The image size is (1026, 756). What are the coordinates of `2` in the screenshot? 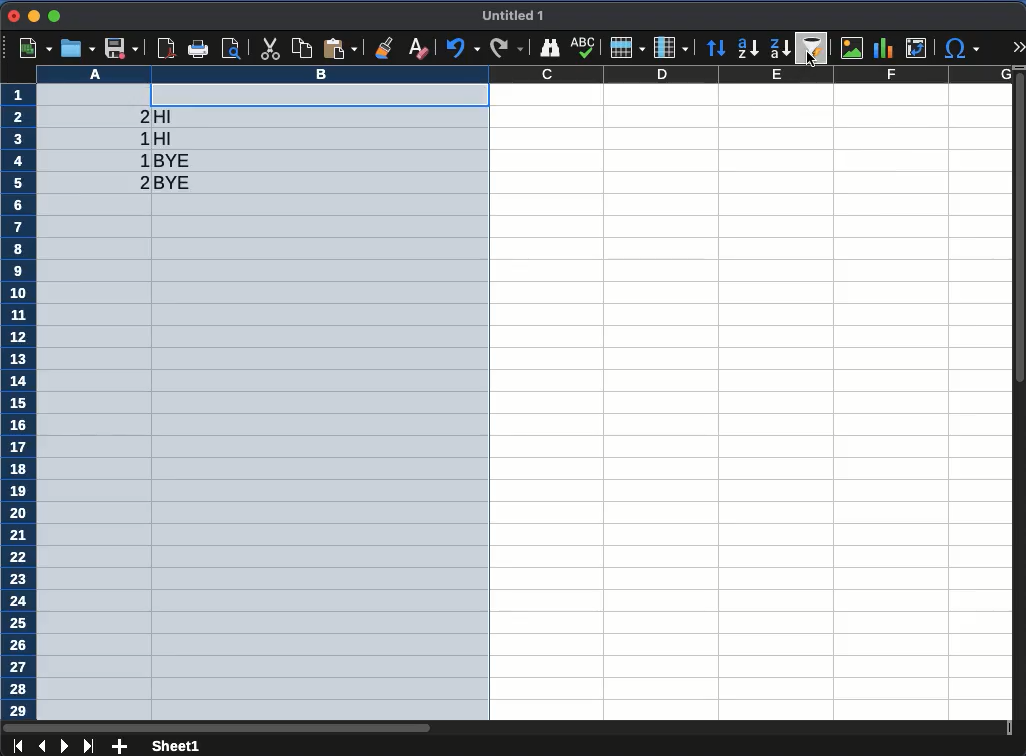 It's located at (140, 116).